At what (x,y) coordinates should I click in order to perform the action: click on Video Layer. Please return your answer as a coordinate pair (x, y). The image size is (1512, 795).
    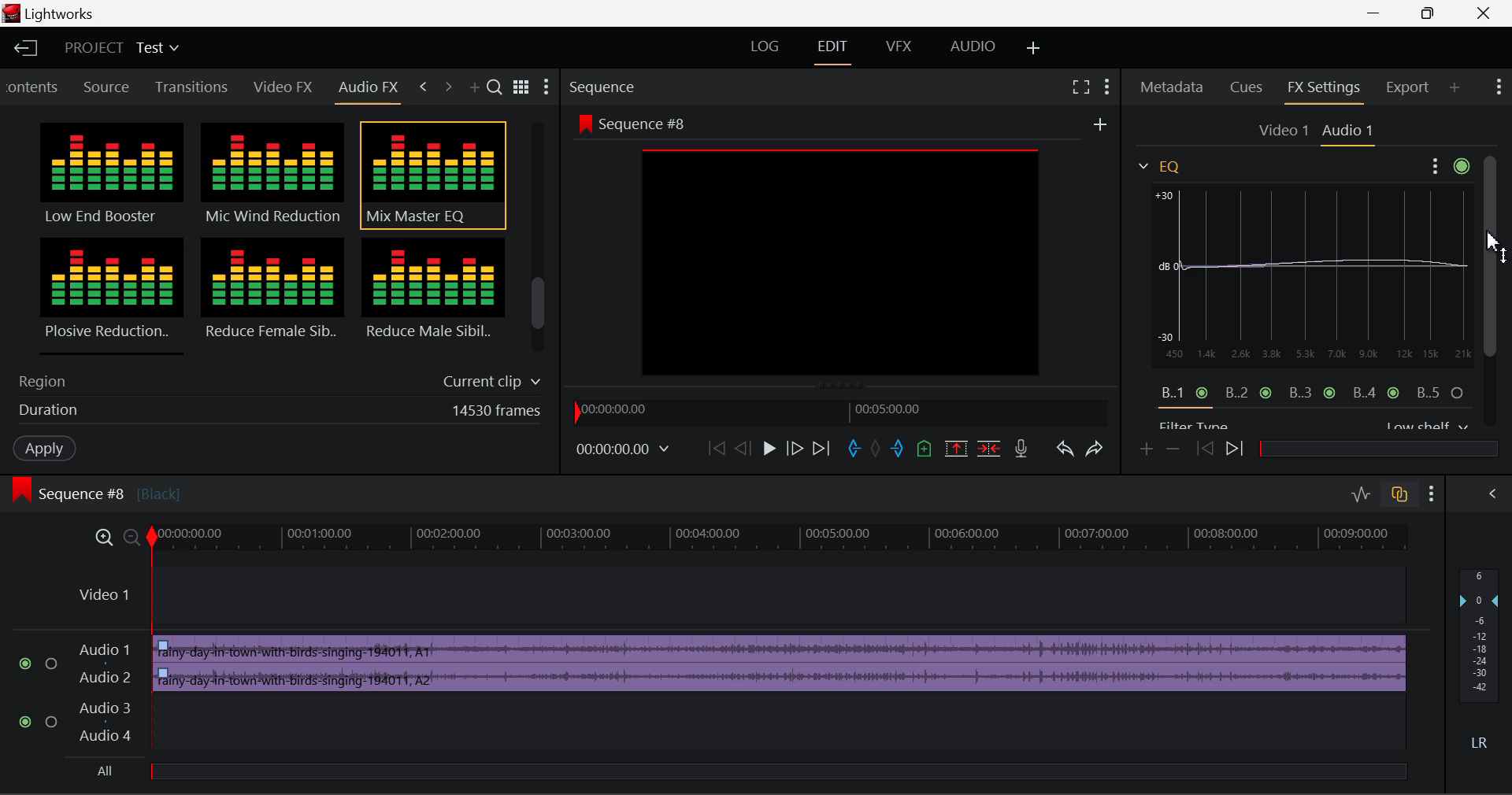
    Looking at the image, I should click on (737, 597).